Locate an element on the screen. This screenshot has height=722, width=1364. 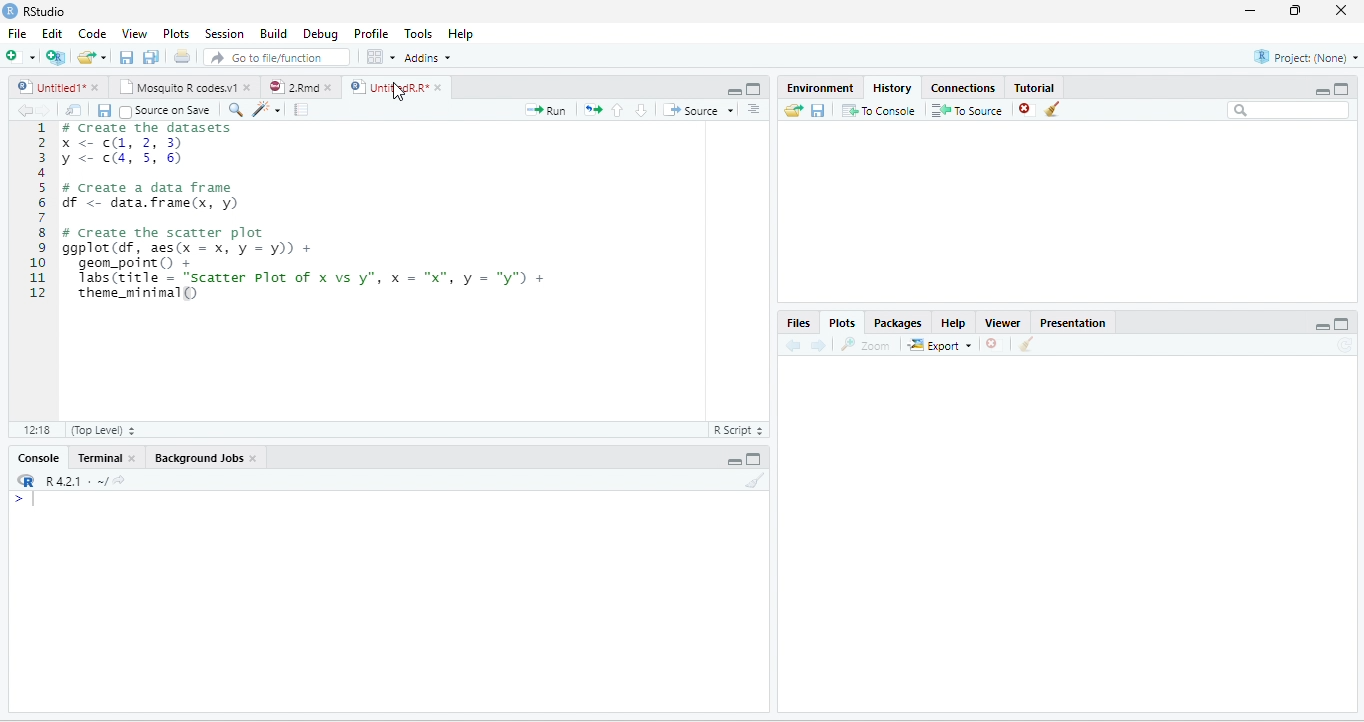
Maximize is located at coordinates (755, 89).